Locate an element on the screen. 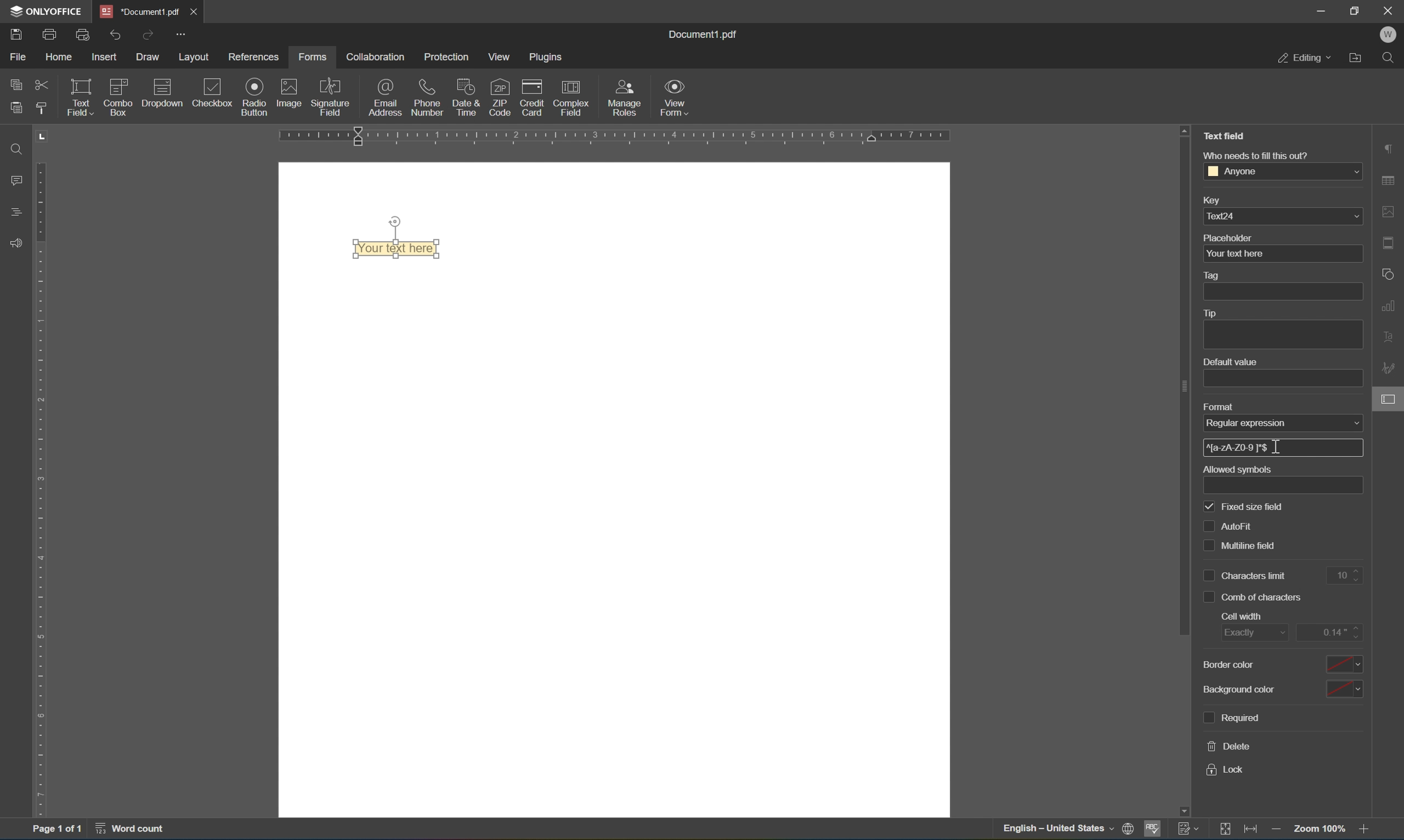 The image size is (1404, 840). ruler is located at coordinates (616, 138).